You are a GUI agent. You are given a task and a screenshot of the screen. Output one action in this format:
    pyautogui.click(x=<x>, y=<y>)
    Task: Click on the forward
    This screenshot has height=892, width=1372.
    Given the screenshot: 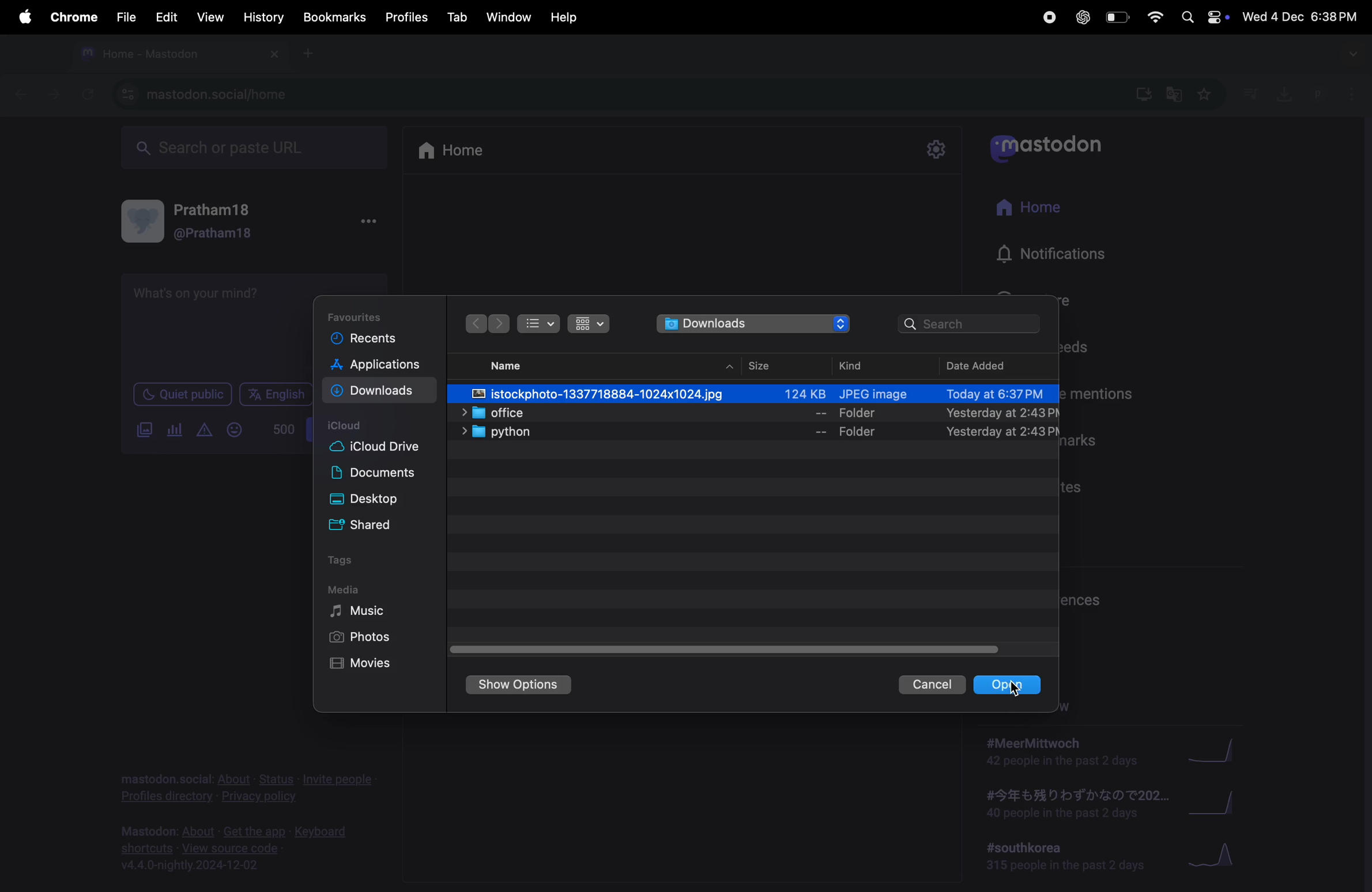 What is the action you would take?
    pyautogui.click(x=500, y=324)
    